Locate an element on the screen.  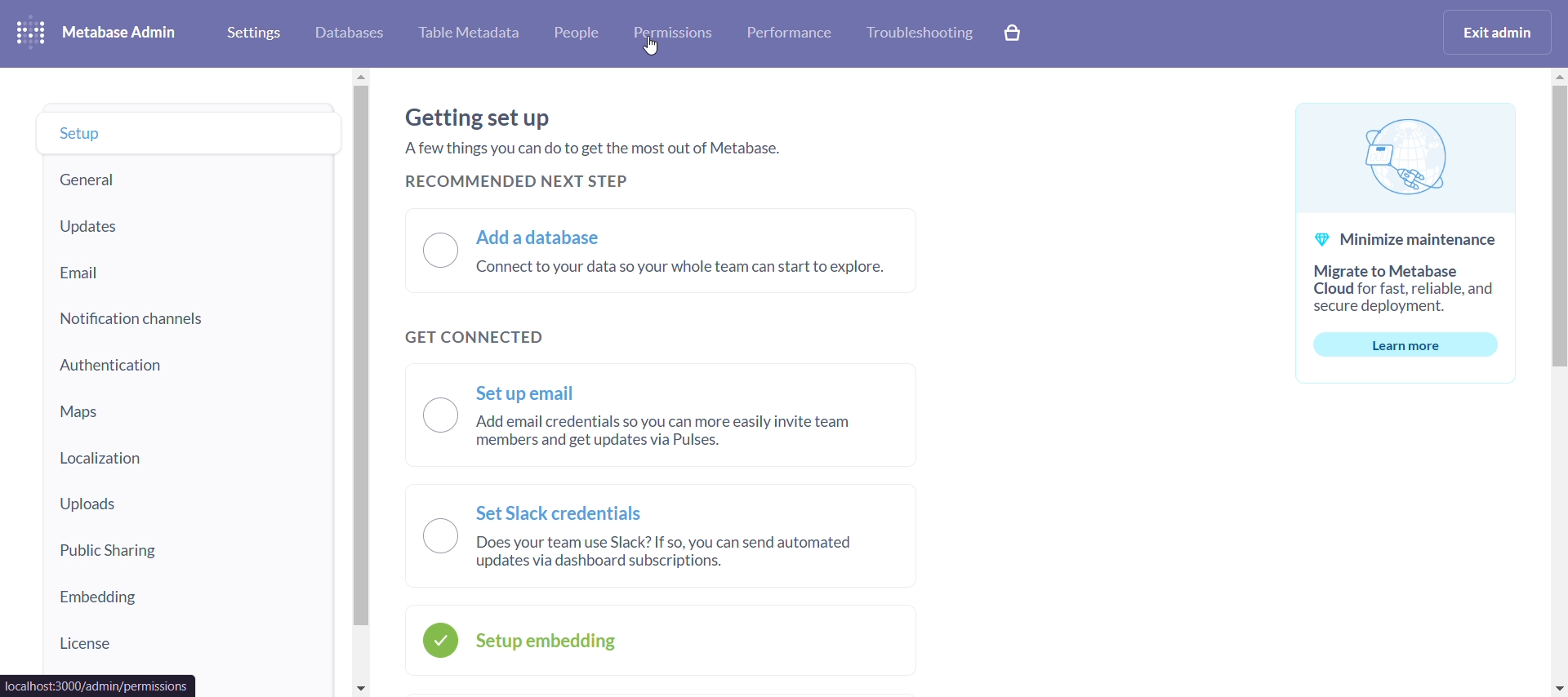
notification chnnels is located at coordinates (187, 321).